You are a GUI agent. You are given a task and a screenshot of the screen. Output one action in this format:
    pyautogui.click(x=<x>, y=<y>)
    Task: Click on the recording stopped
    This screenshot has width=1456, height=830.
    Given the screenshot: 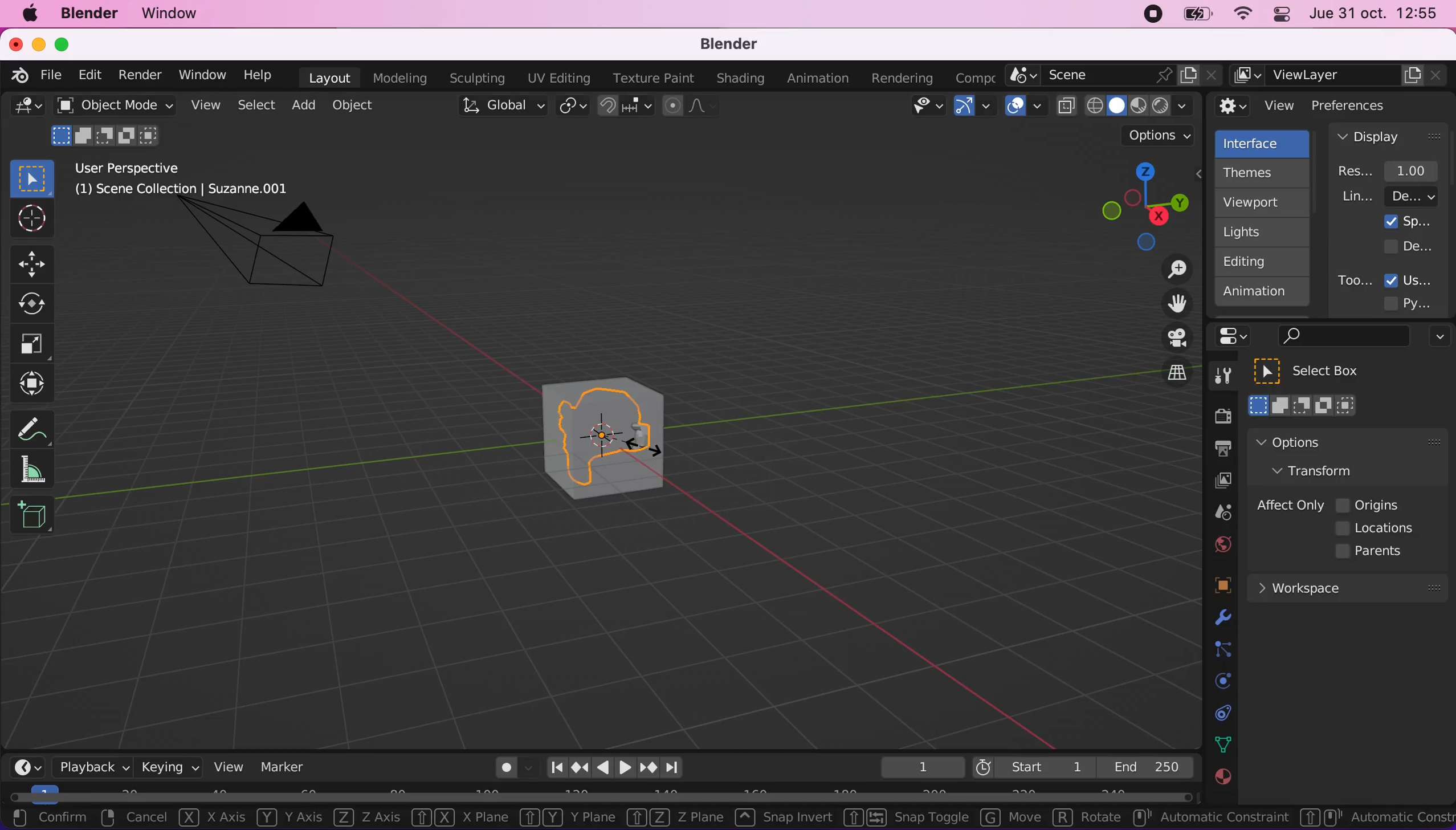 What is the action you would take?
    pyautogui.click(x=1148, y=16)
    